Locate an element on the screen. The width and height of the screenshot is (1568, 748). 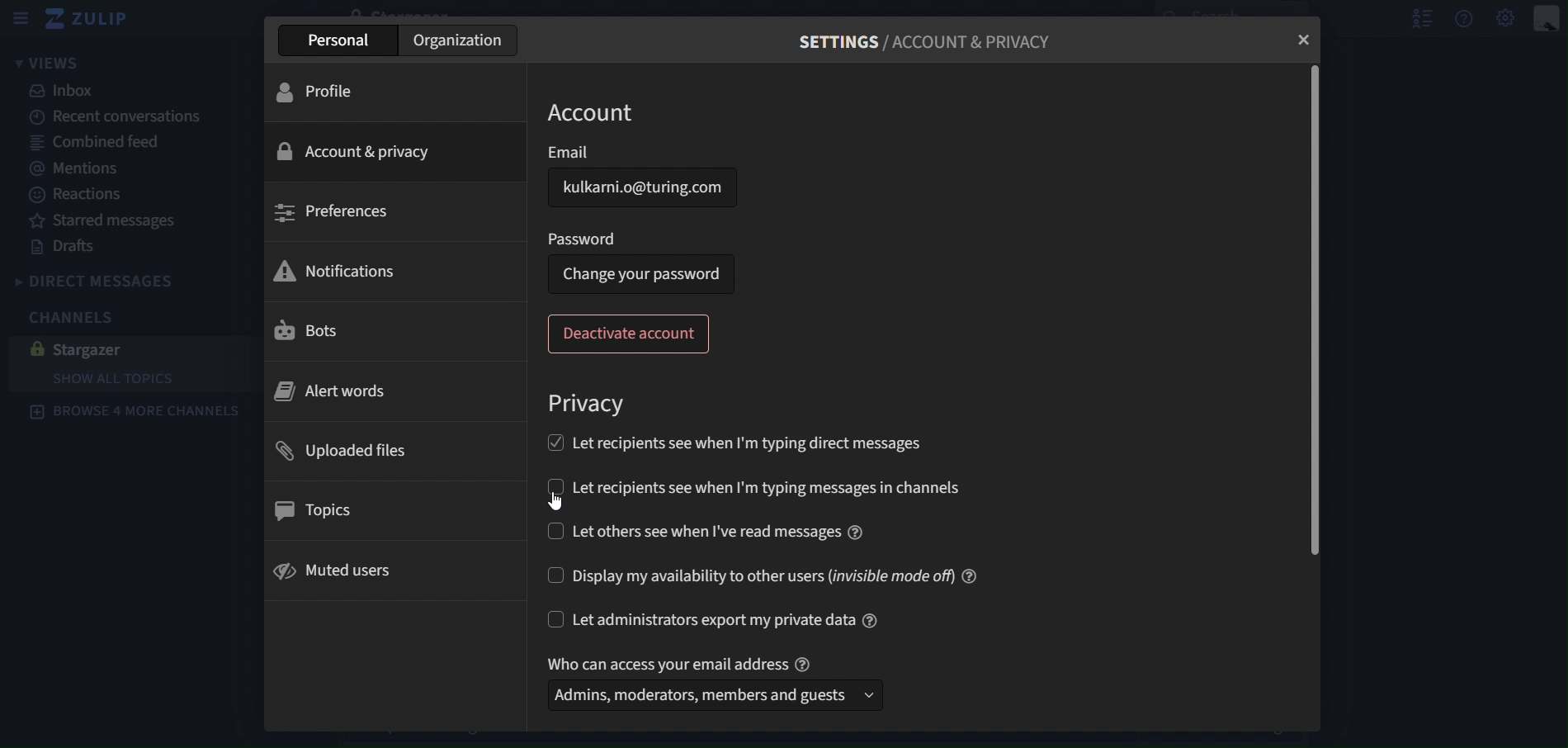
browse 4 more channels is located at coordinates (132, 411).